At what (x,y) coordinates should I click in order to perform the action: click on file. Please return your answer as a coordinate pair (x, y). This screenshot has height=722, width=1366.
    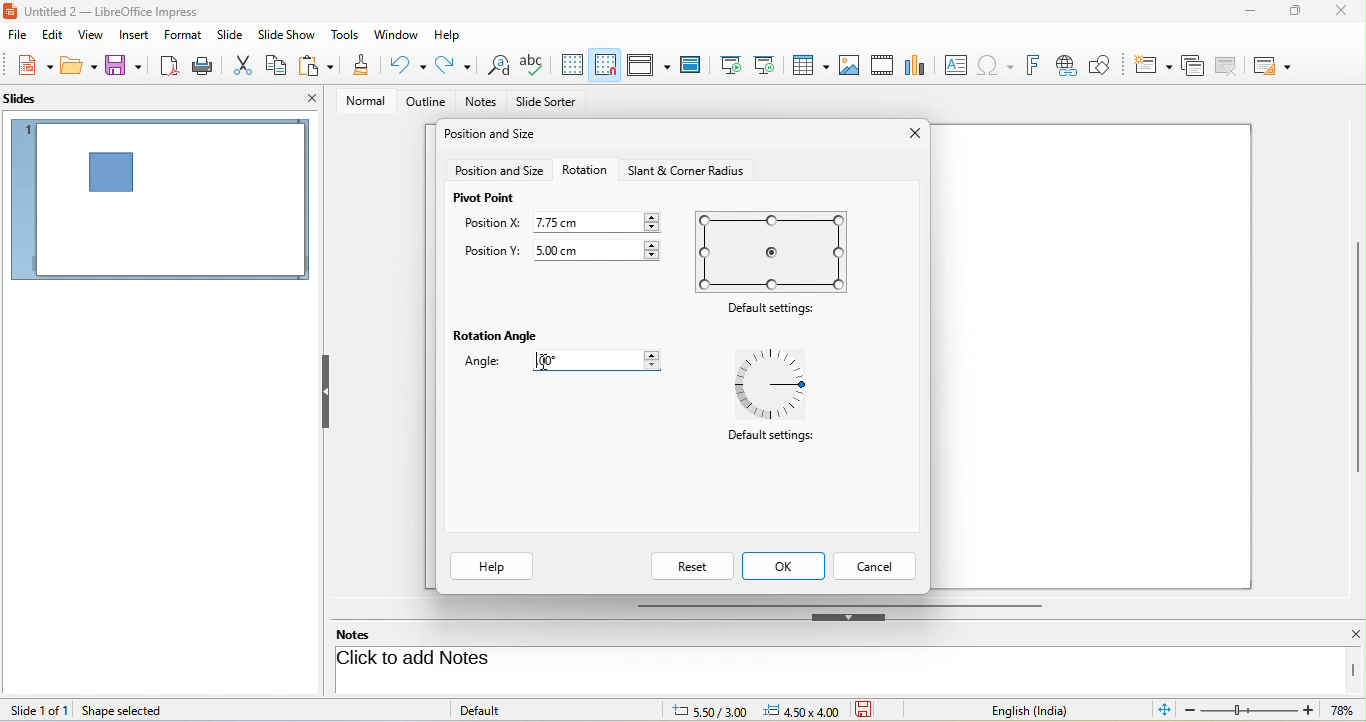
    Looking at the image, I should click on (18, 36).